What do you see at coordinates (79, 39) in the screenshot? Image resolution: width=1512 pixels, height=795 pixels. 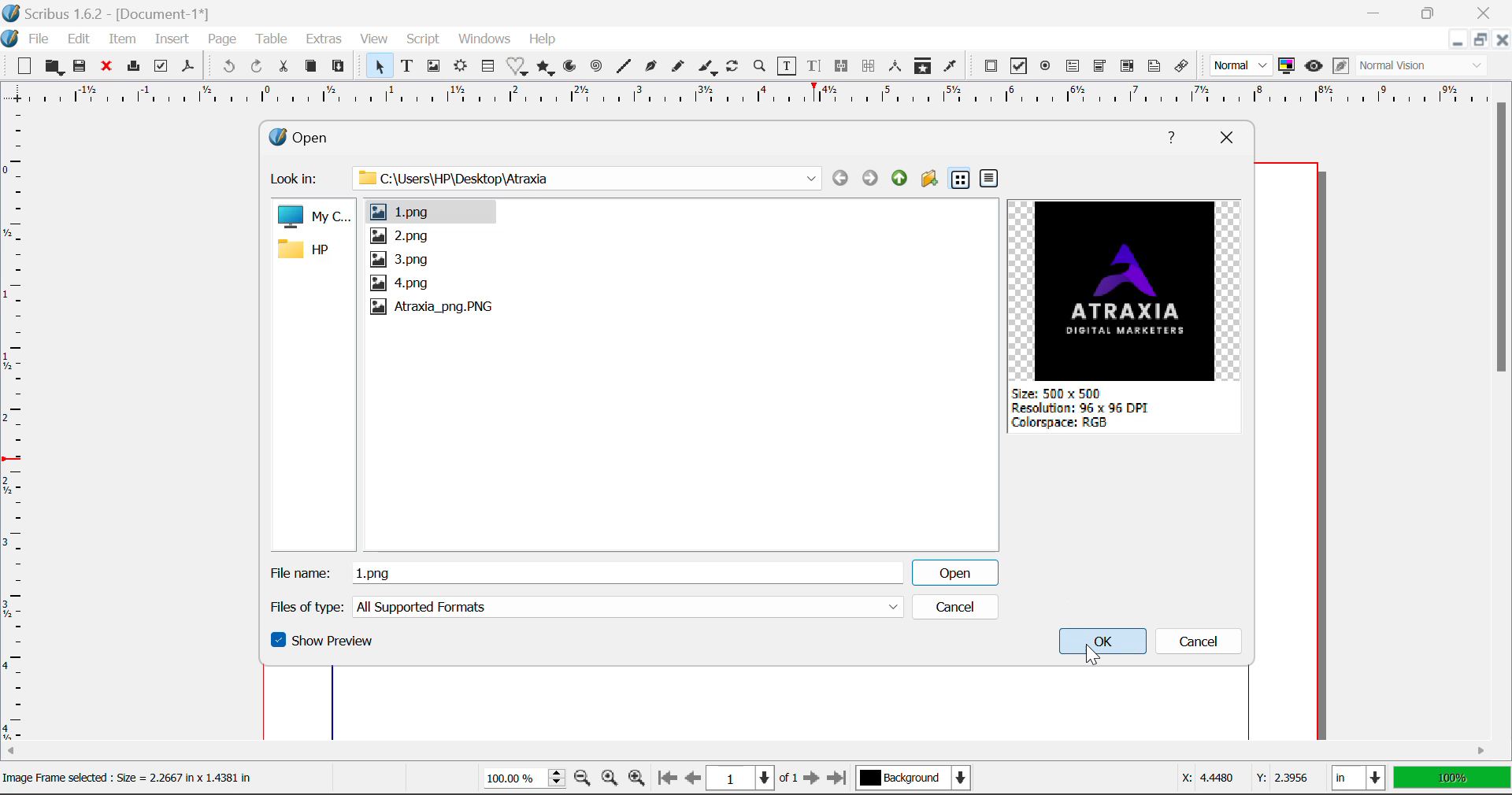 I see `Edit` at bounding box center [79, 39].